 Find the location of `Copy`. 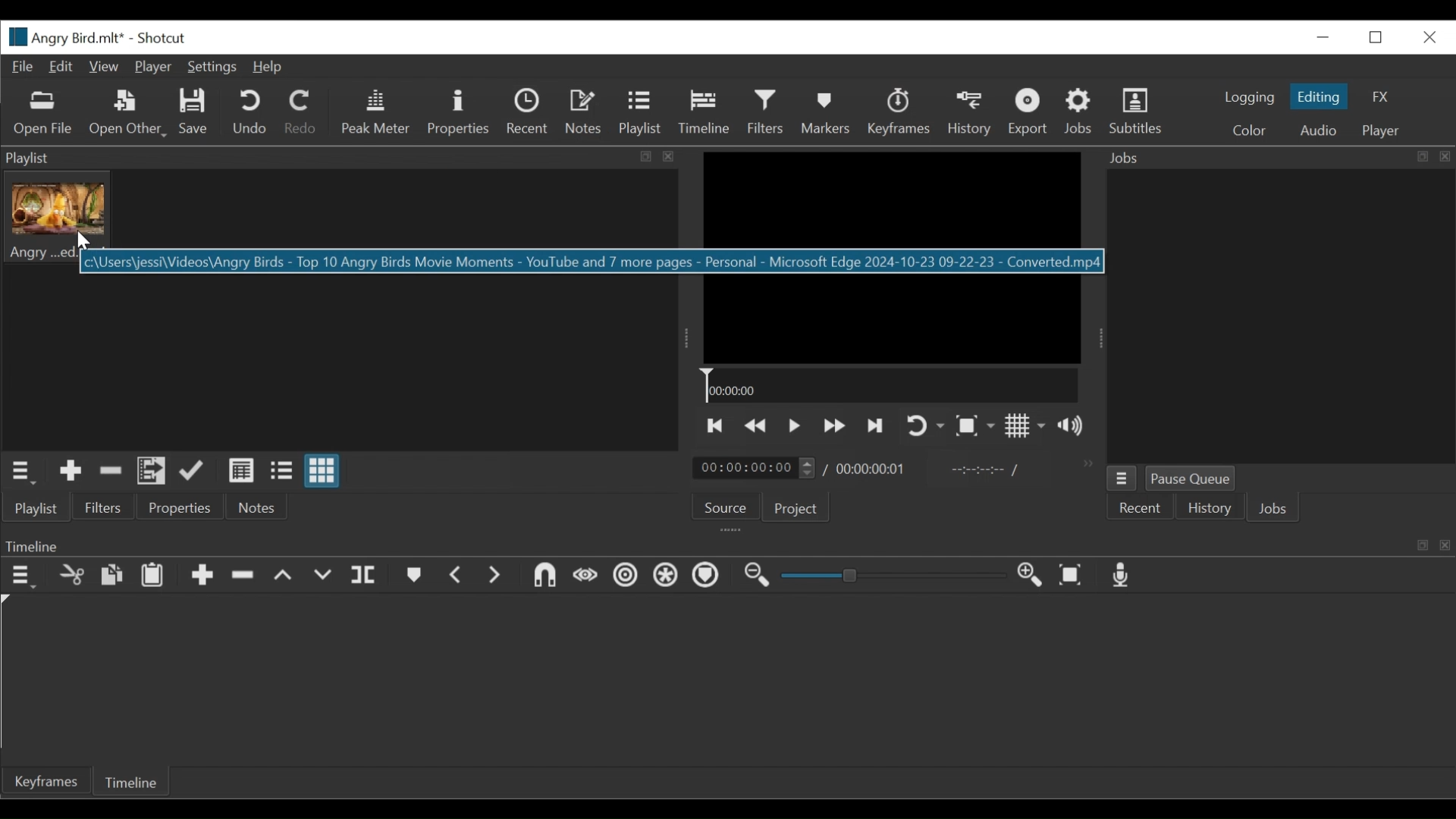

Copy is located at coordinates (111, 575).